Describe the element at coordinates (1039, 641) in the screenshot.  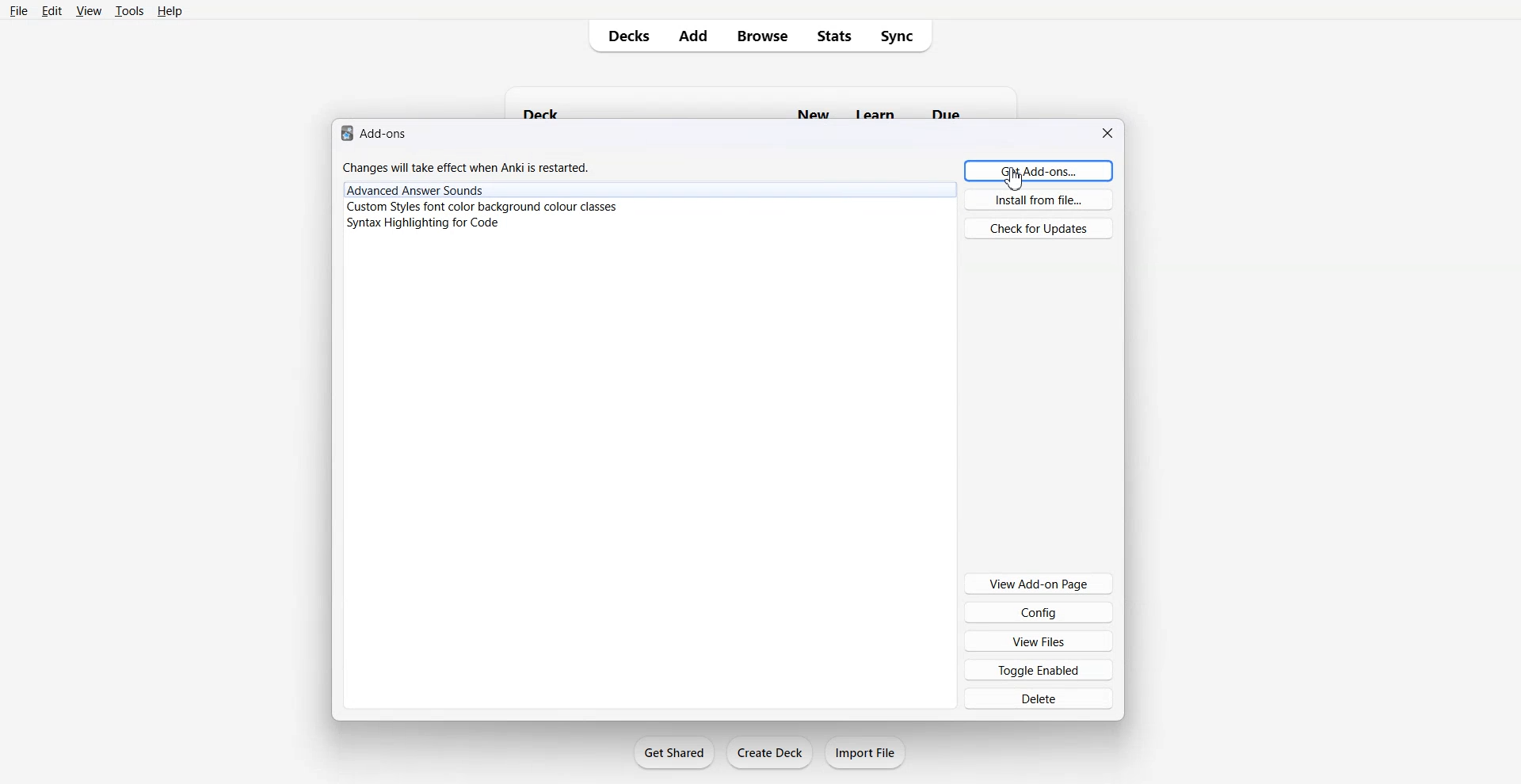
I see `View Files` at that location.